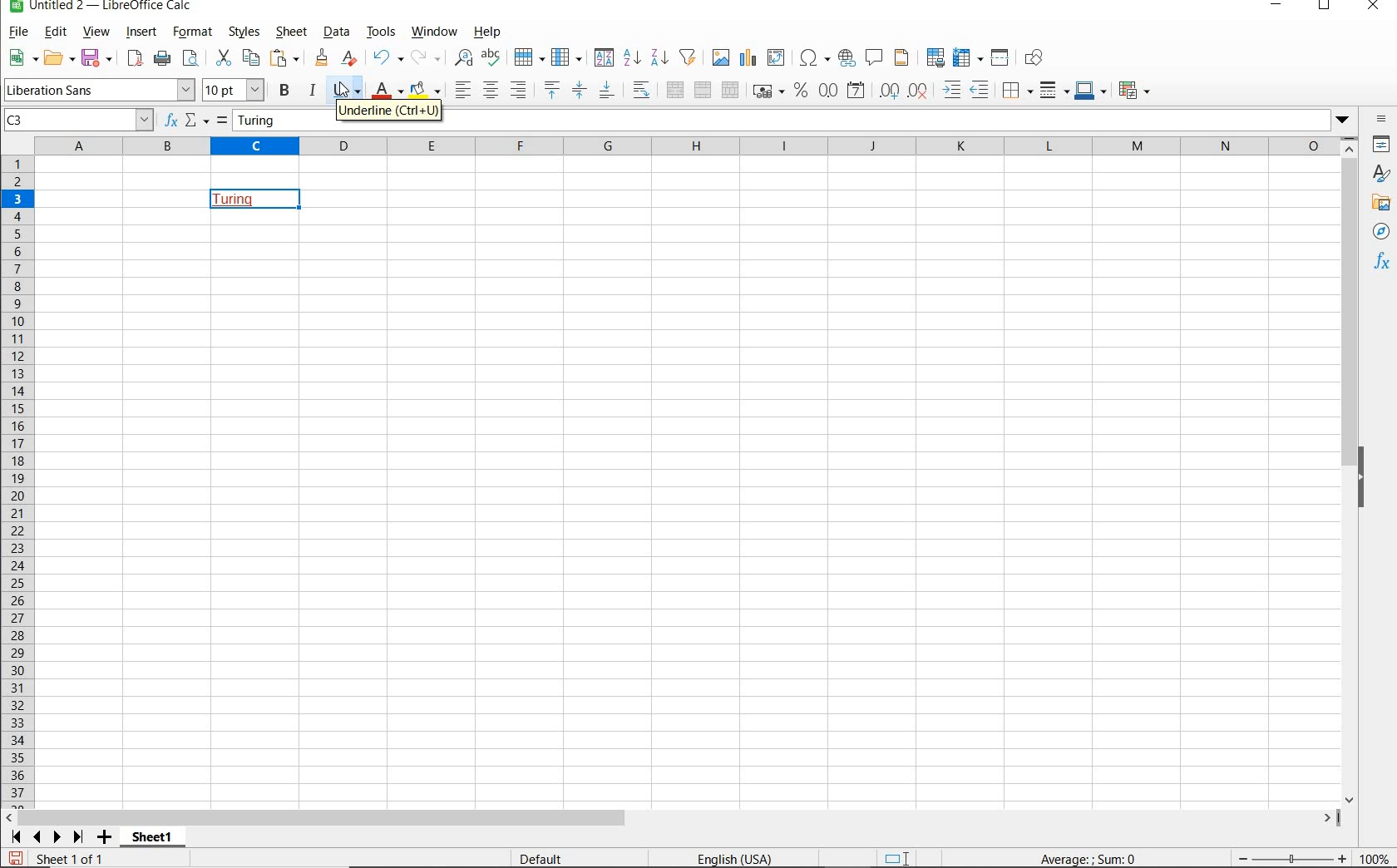 The height and width of the screenshot is (868, 1397). Describe the element at coordinates (1385, 264) in the screenshot. I see `FUNCTIONS` at that location.